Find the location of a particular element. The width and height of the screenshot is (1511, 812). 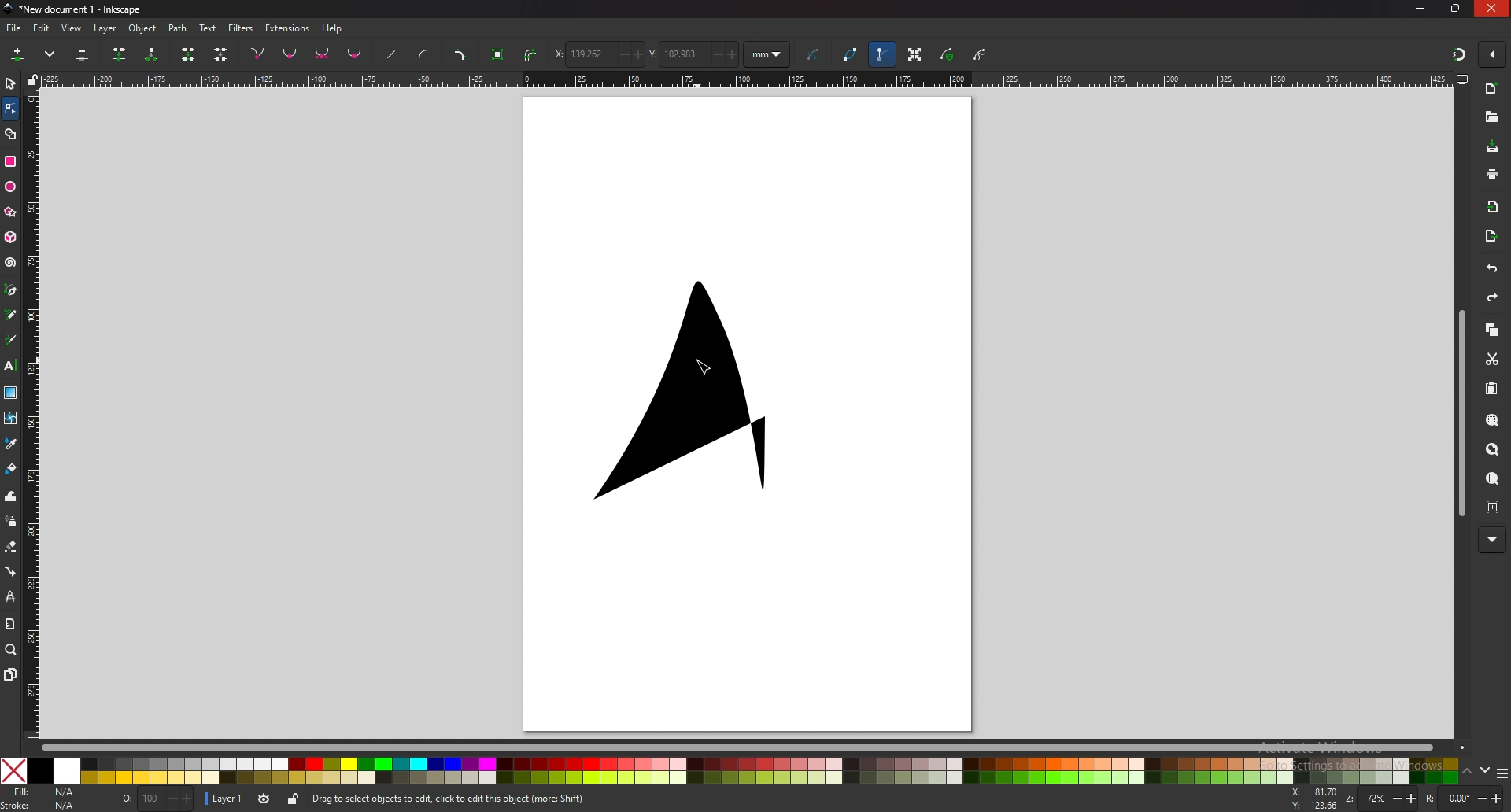

resize is located at coordinates (1456, 8).